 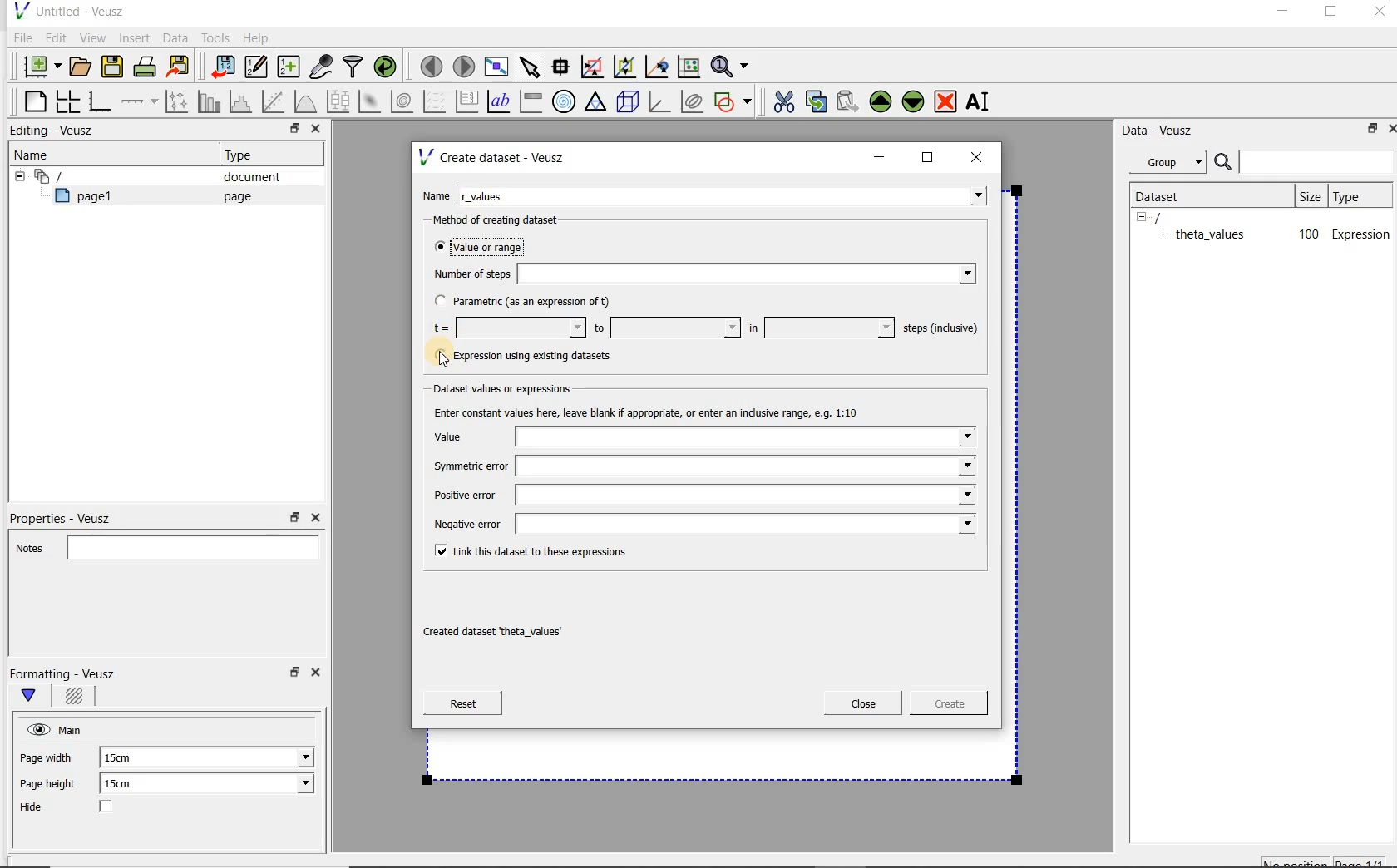 What do you see at coordinates (699, 274) in the screenshot?
I see `Number of steps` at bounding box center [699, 274].